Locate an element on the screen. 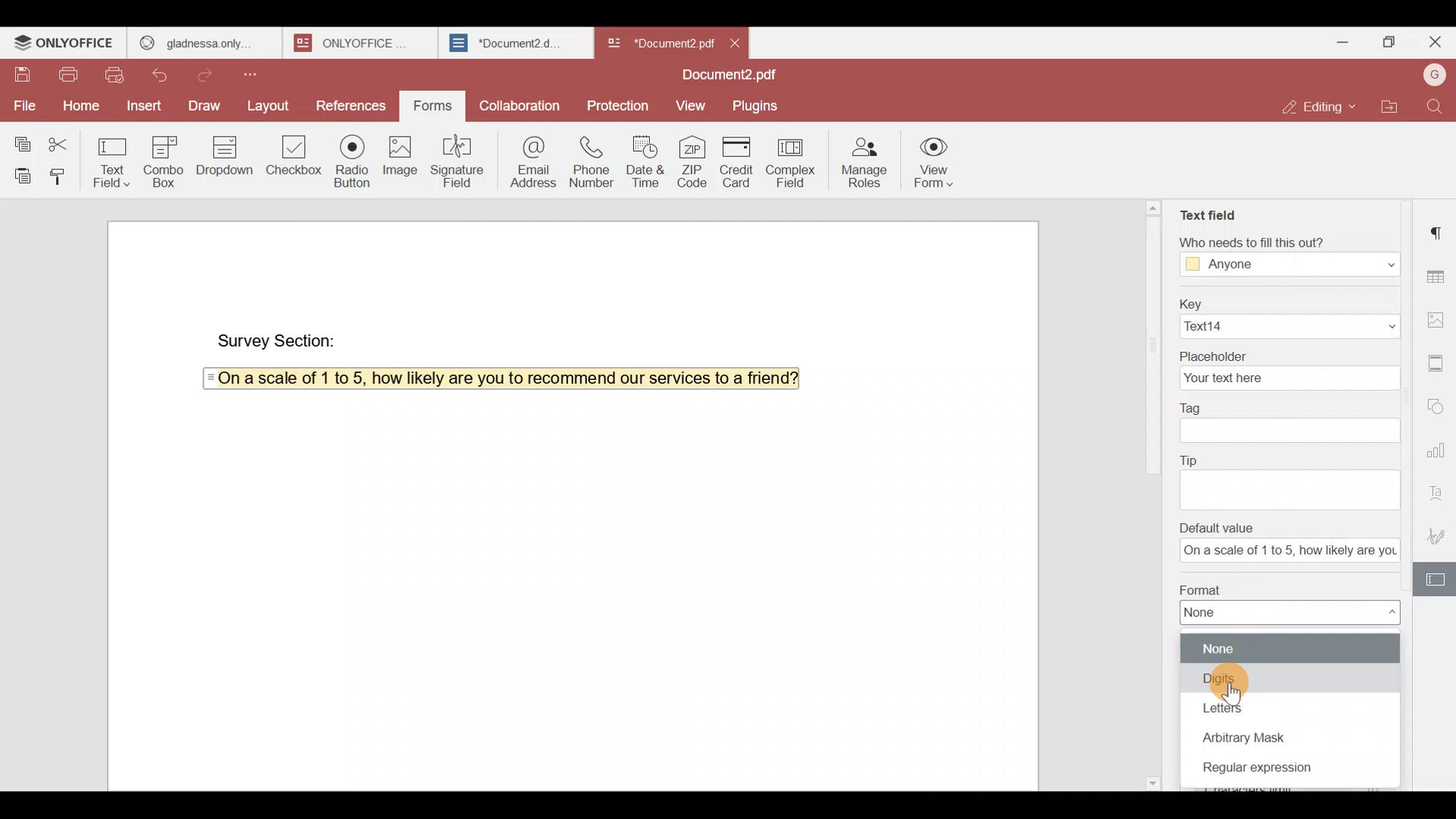 The height and width of the screenshot is (819, 1456). Default value is located at coordinates (1292, 527).